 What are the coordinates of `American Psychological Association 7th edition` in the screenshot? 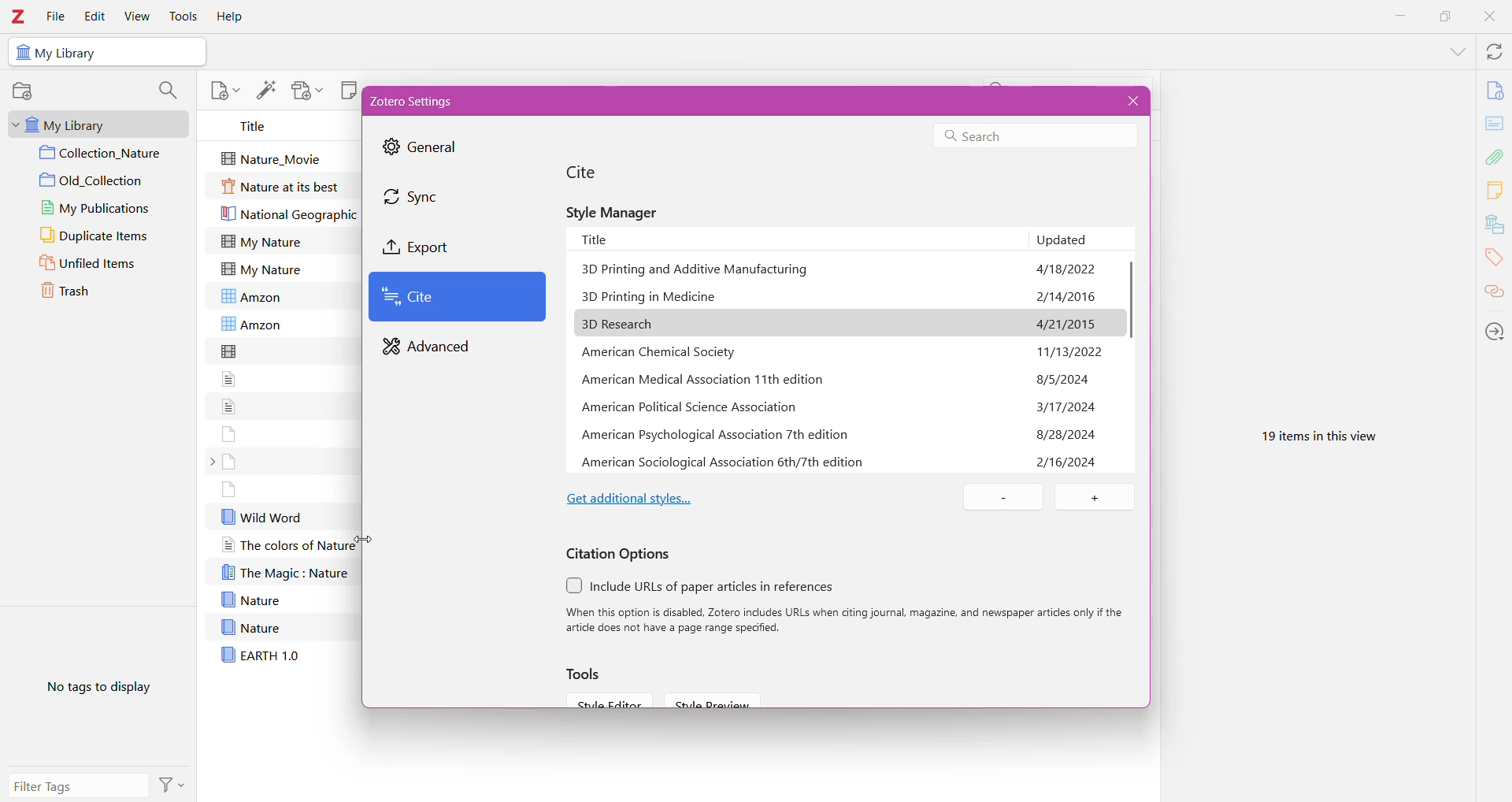 It's located at (720, 435).